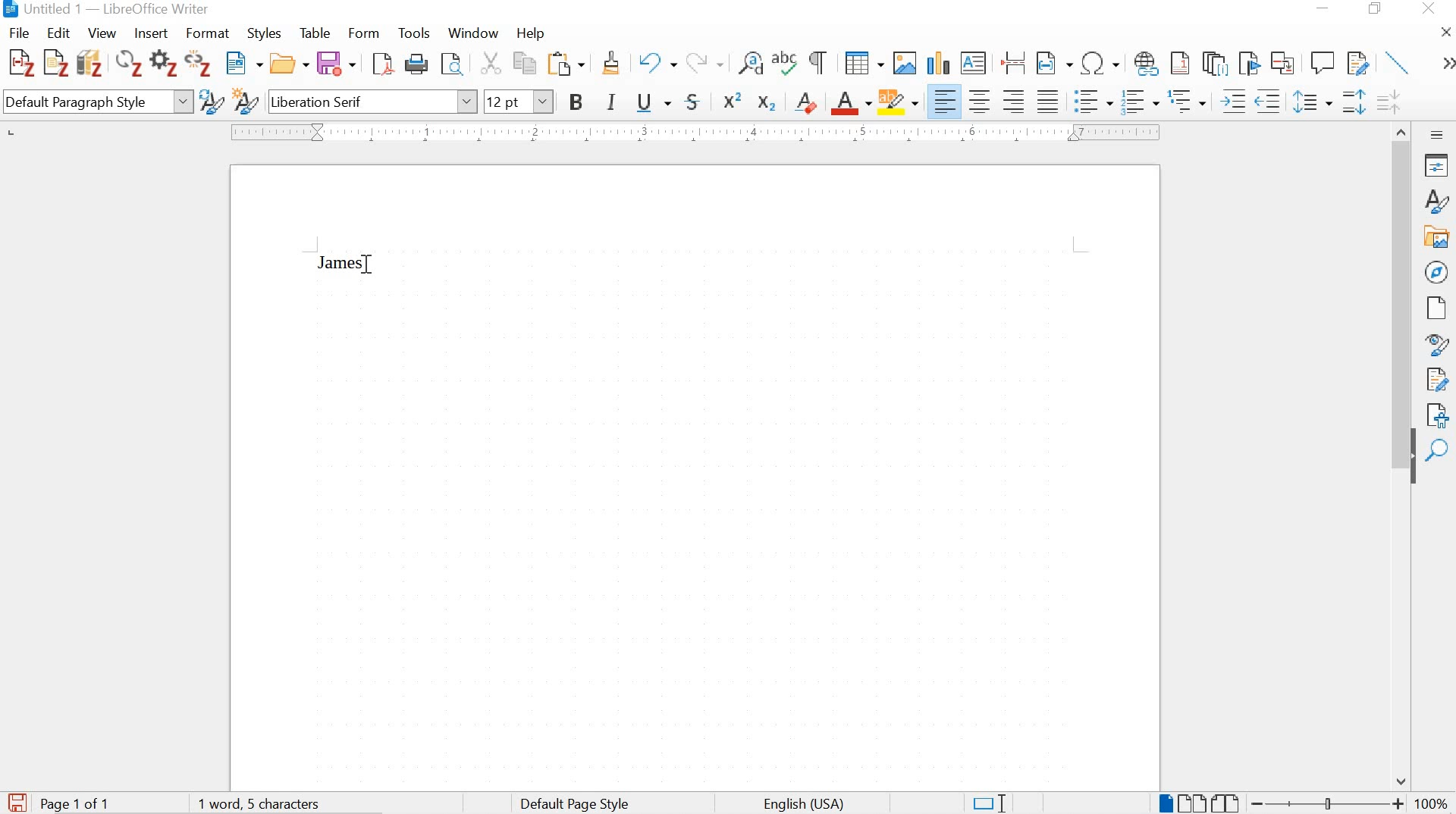 The height and width of the screenshot is (814, 1456). What do you see at coordinates (1439, 451) in the screenshot?
I see `find` at bounding box center [1439, 451].